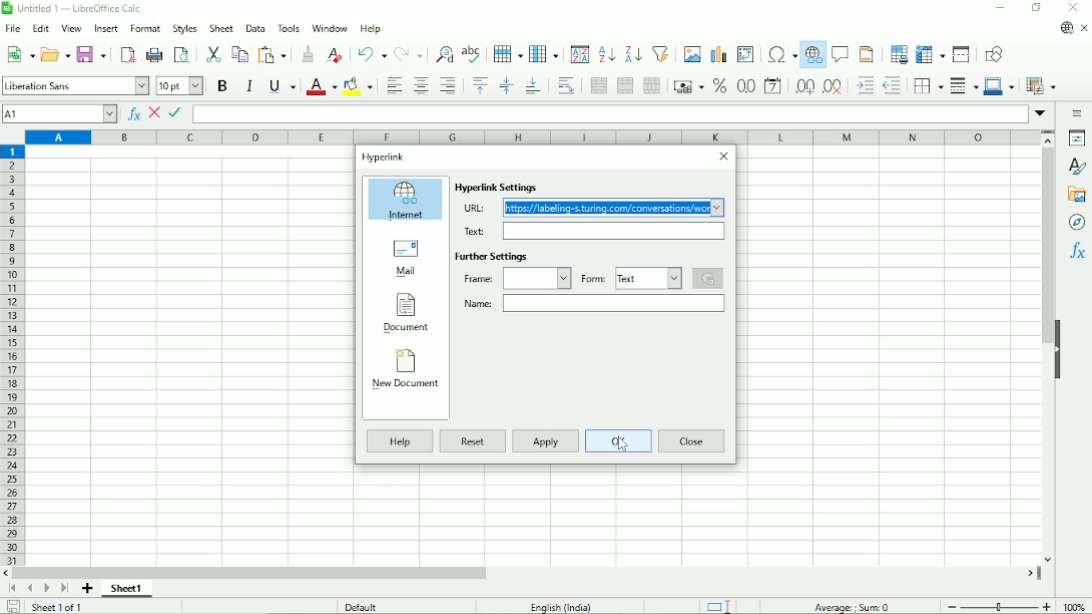  I want to click on English (India), so click(561, 607).